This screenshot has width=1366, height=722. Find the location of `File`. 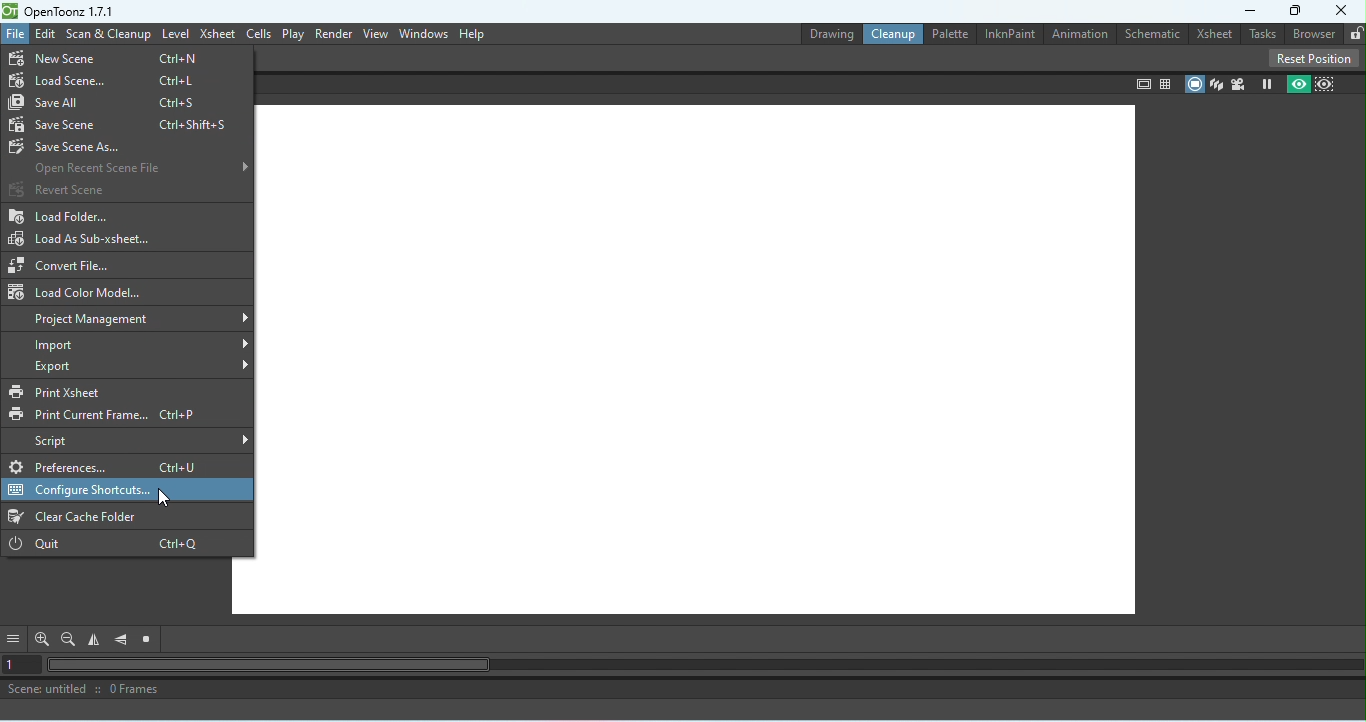

File is located at coordinates (16, 33).